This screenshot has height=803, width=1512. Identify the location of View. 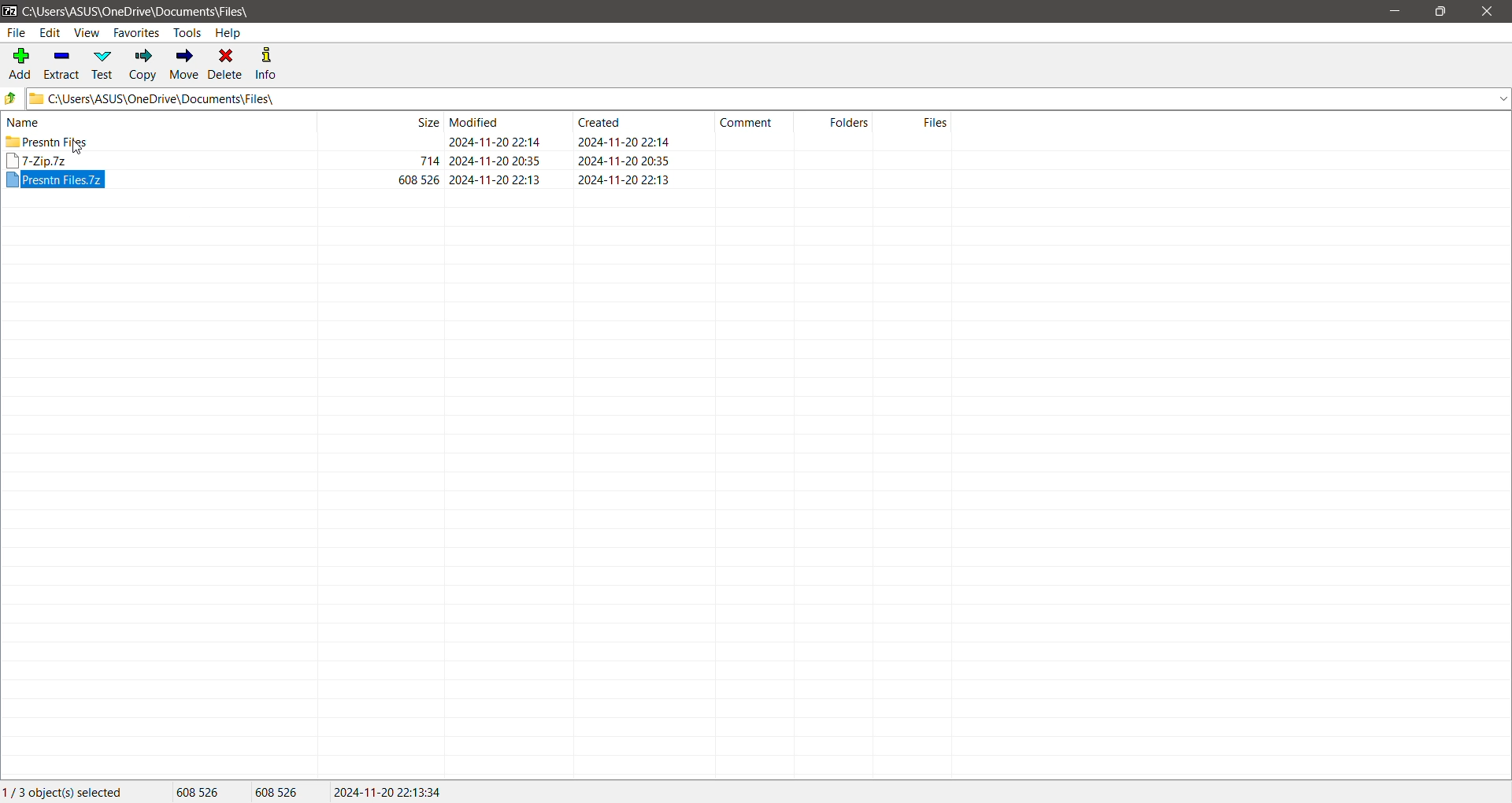
(87, 32).